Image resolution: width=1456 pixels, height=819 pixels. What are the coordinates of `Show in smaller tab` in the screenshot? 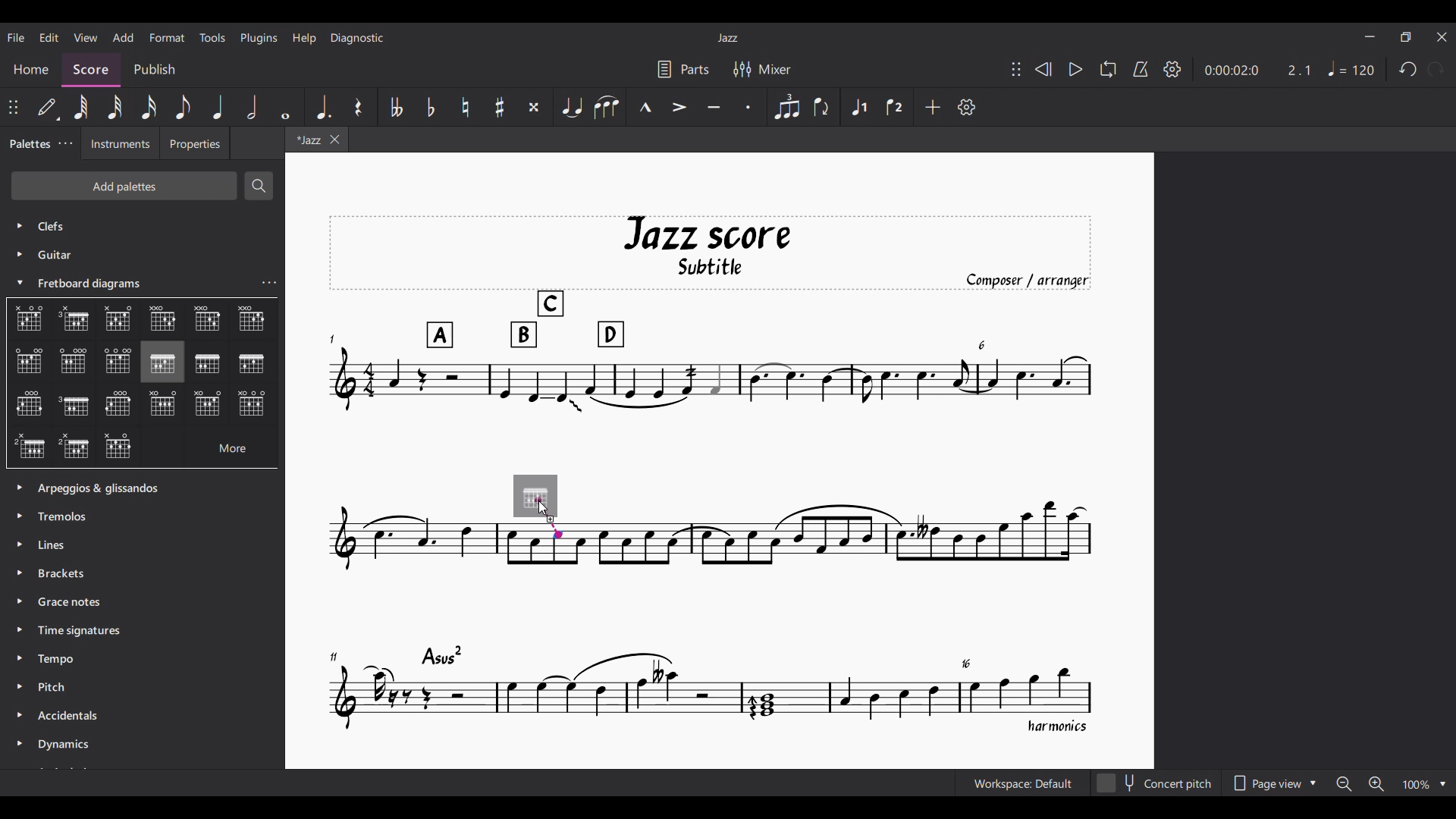 It's located at (1406, 37).